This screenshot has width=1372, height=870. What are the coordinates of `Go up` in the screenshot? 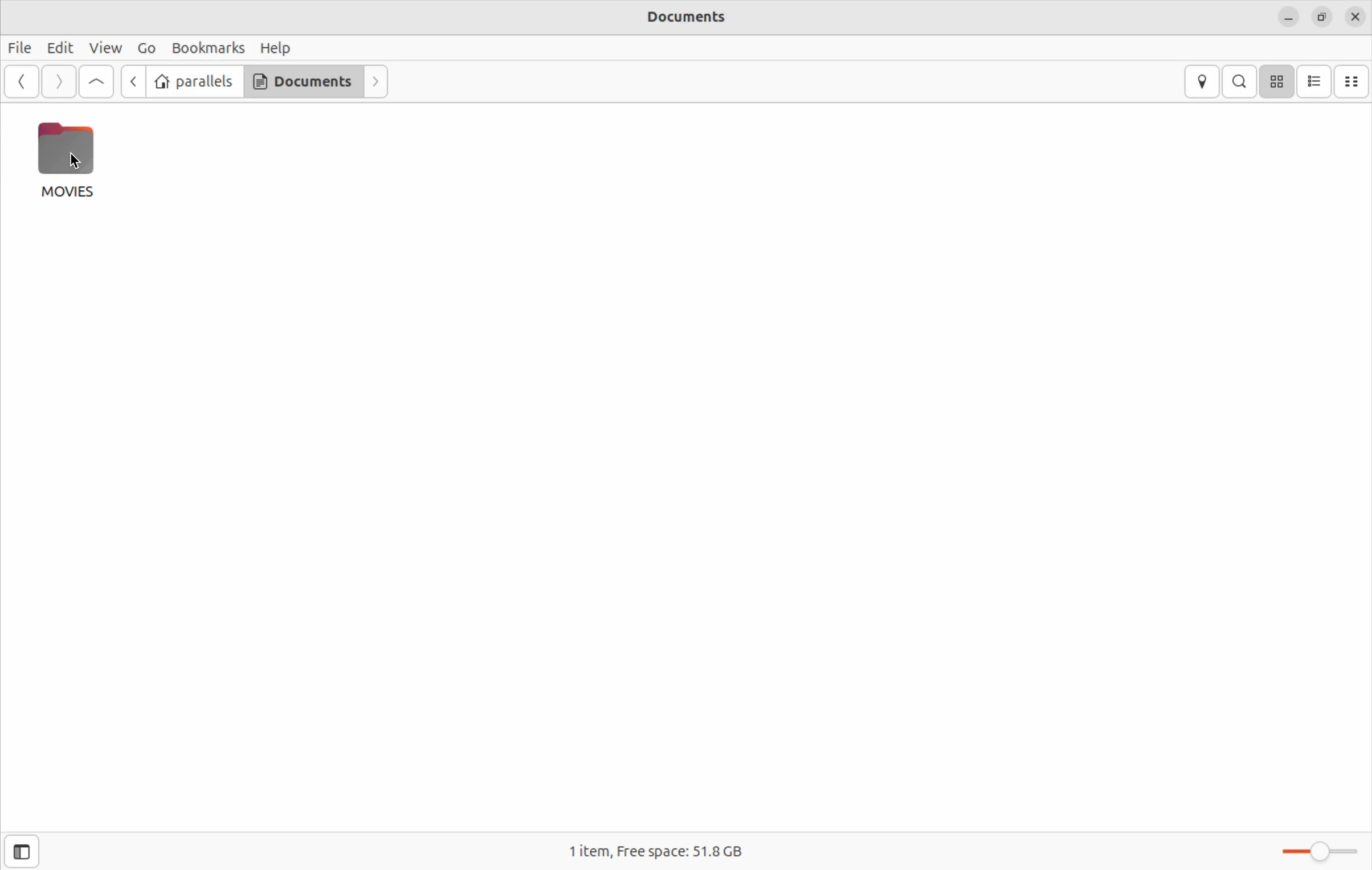 It's located at (96, 83).